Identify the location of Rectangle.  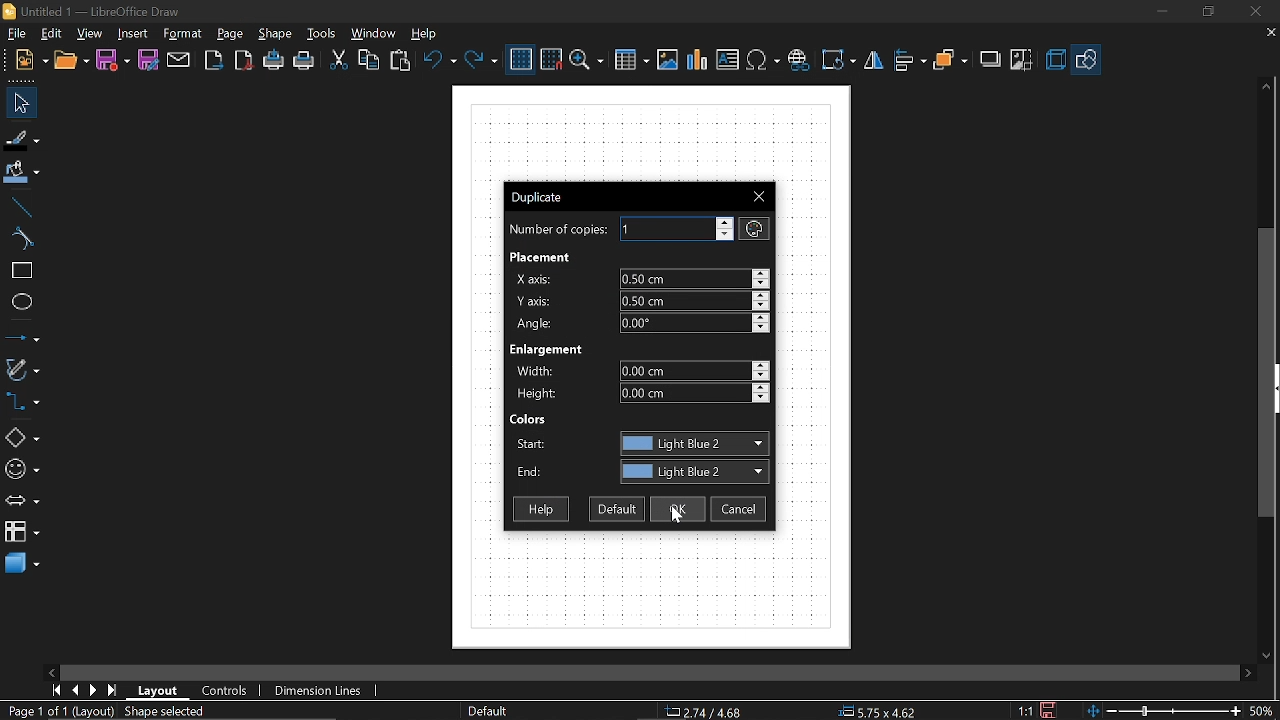
(18, 271).